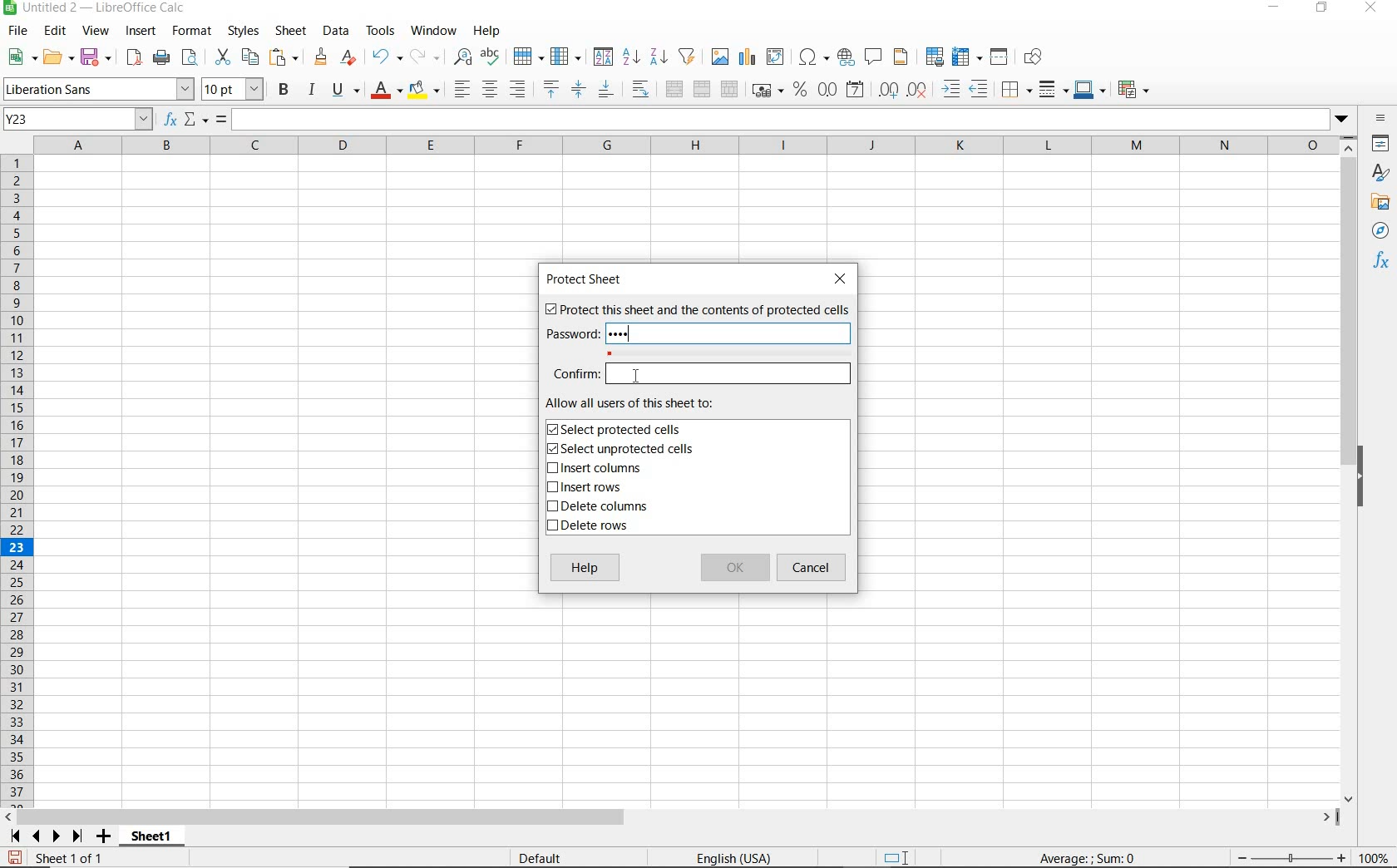  What do you see at coordinates (935, 57) in the screenshot?
I see `DEFINE PRINT AREA` at bounding box center [935, 57].